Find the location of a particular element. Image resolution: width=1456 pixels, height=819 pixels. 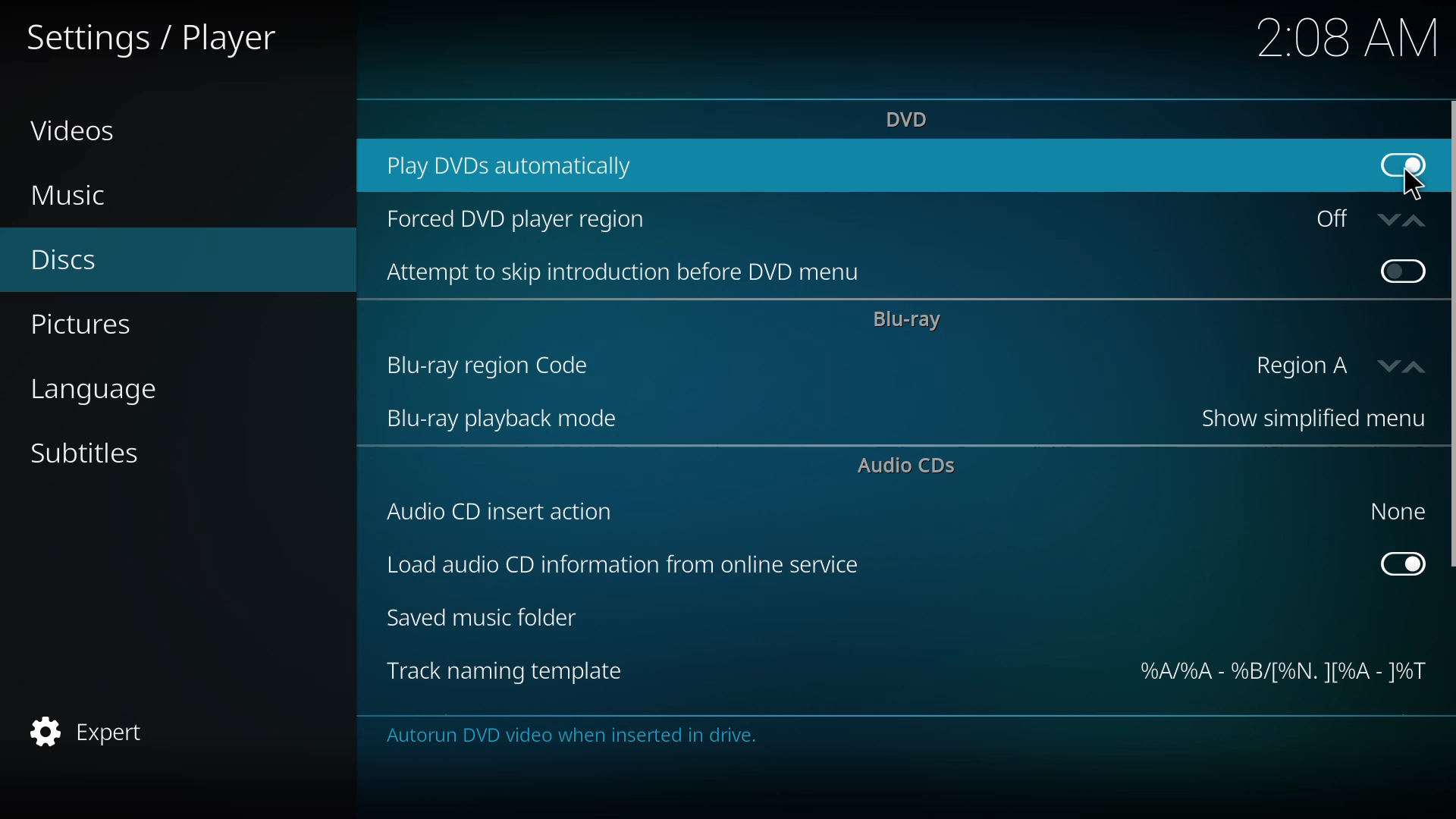

bluray region code is located at coordinates (491, 365).